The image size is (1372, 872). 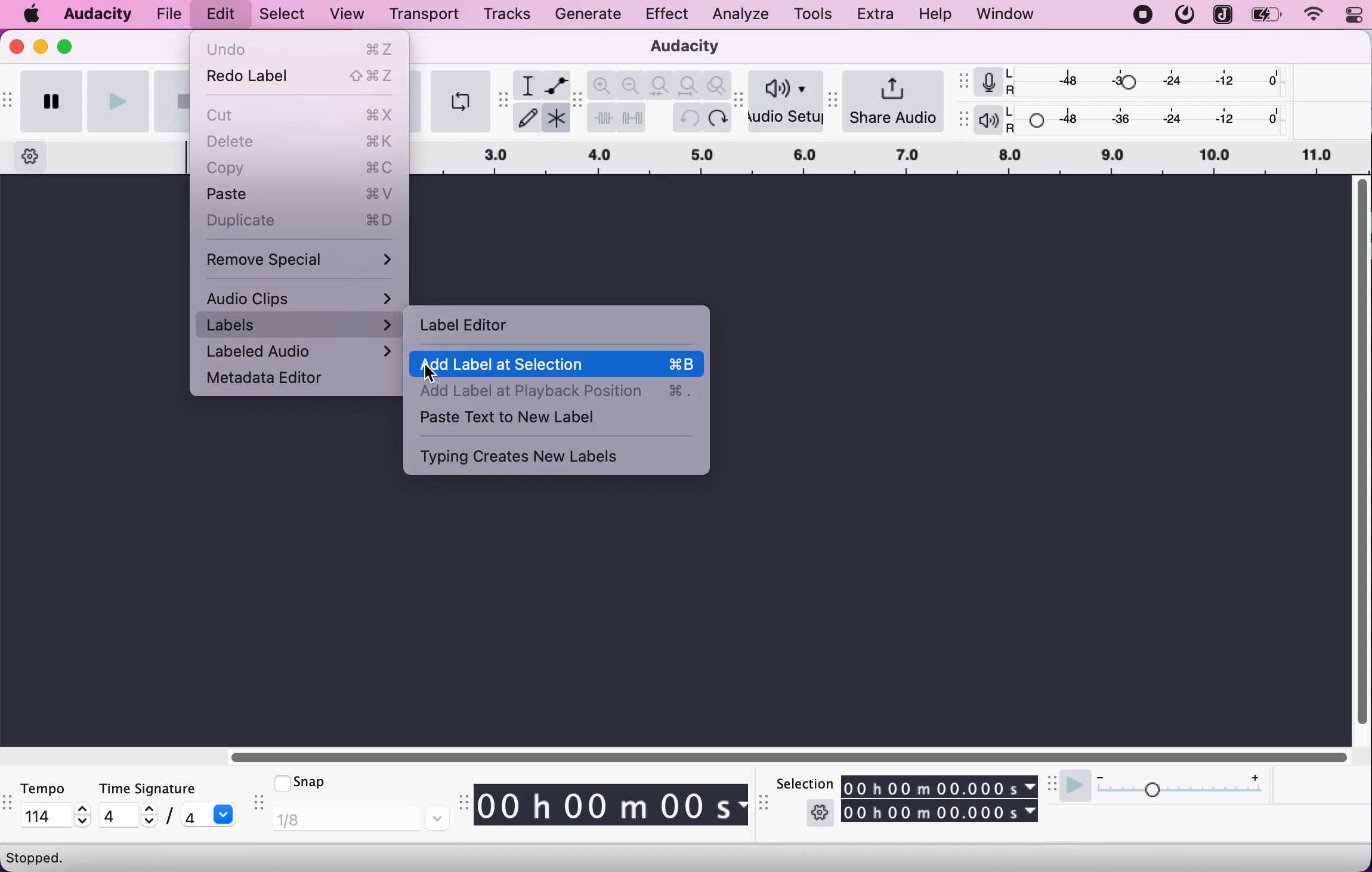 What do you see at coordinates (661, 84) in the screenshot?
I see `fit selection to width` at bounding box center [661, 84].